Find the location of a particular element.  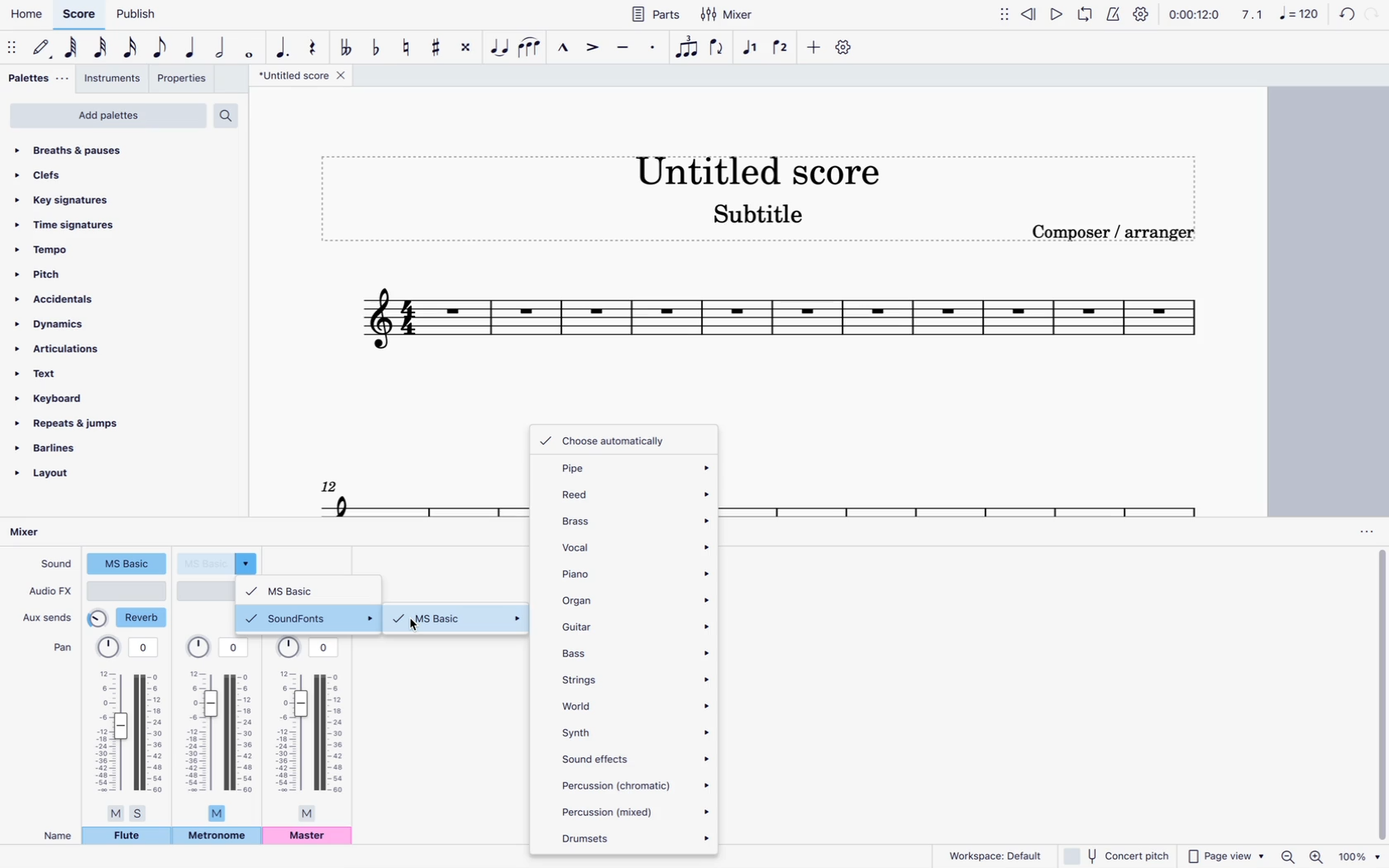

pan is located at coordinates (130, 728).